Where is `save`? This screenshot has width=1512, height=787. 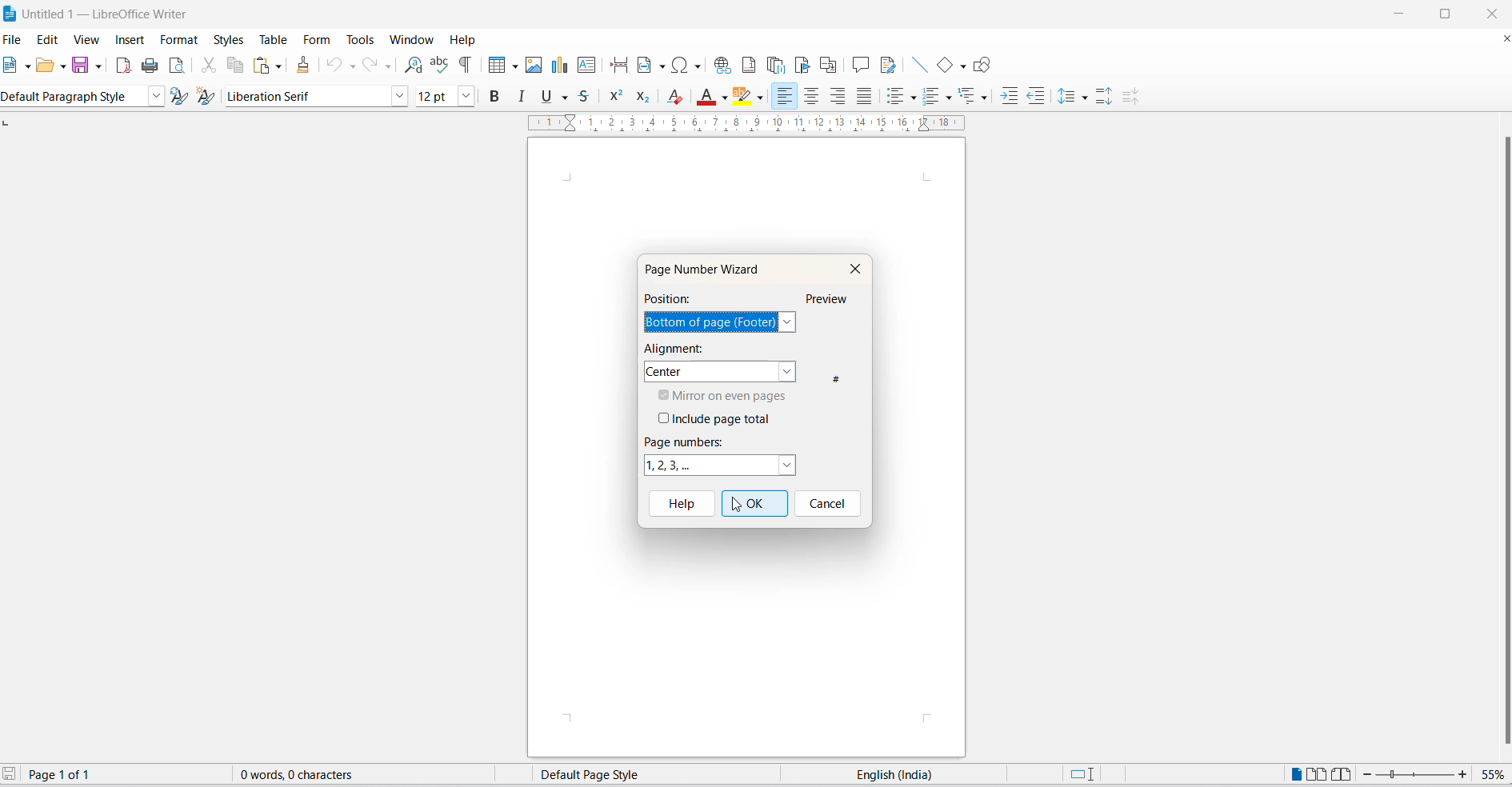 save is located at coordinates (81, 66).